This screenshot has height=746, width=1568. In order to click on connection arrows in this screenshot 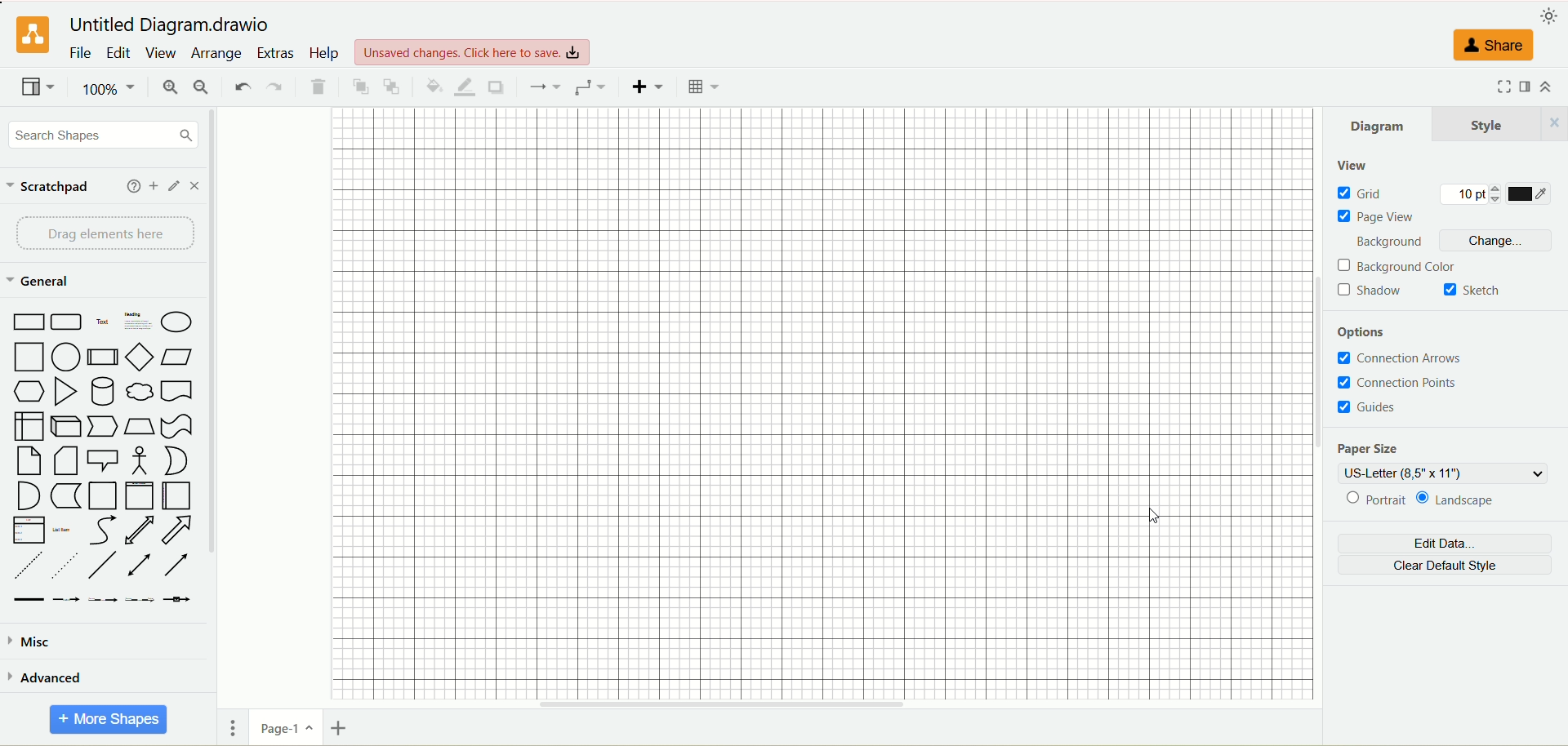, I will do `click(1403, 357)`.